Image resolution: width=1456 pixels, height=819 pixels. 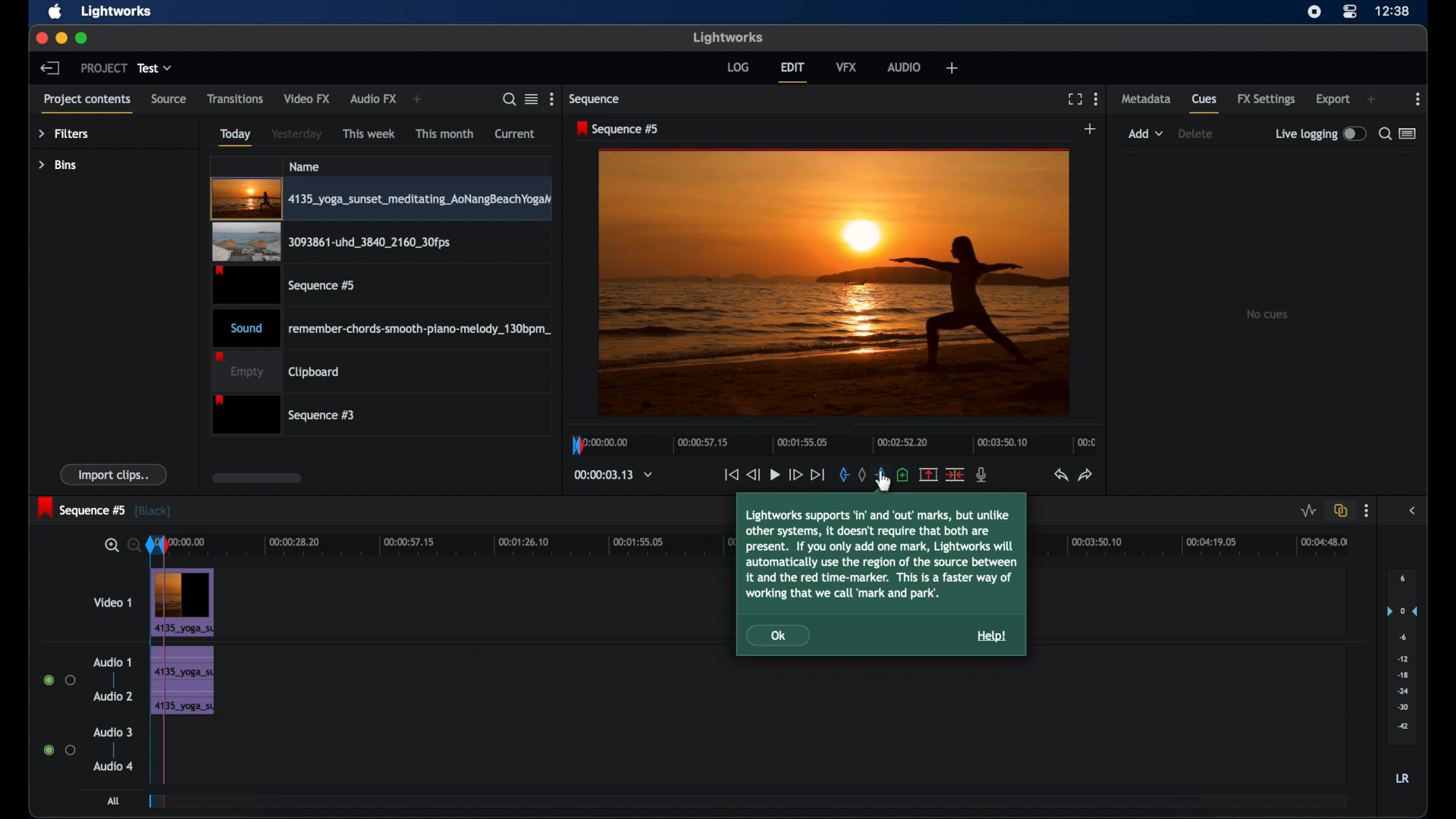 What do you see at coordinates (1206, 103) in the screenshot?
I see `cues` at bounding box center [1206, 103].